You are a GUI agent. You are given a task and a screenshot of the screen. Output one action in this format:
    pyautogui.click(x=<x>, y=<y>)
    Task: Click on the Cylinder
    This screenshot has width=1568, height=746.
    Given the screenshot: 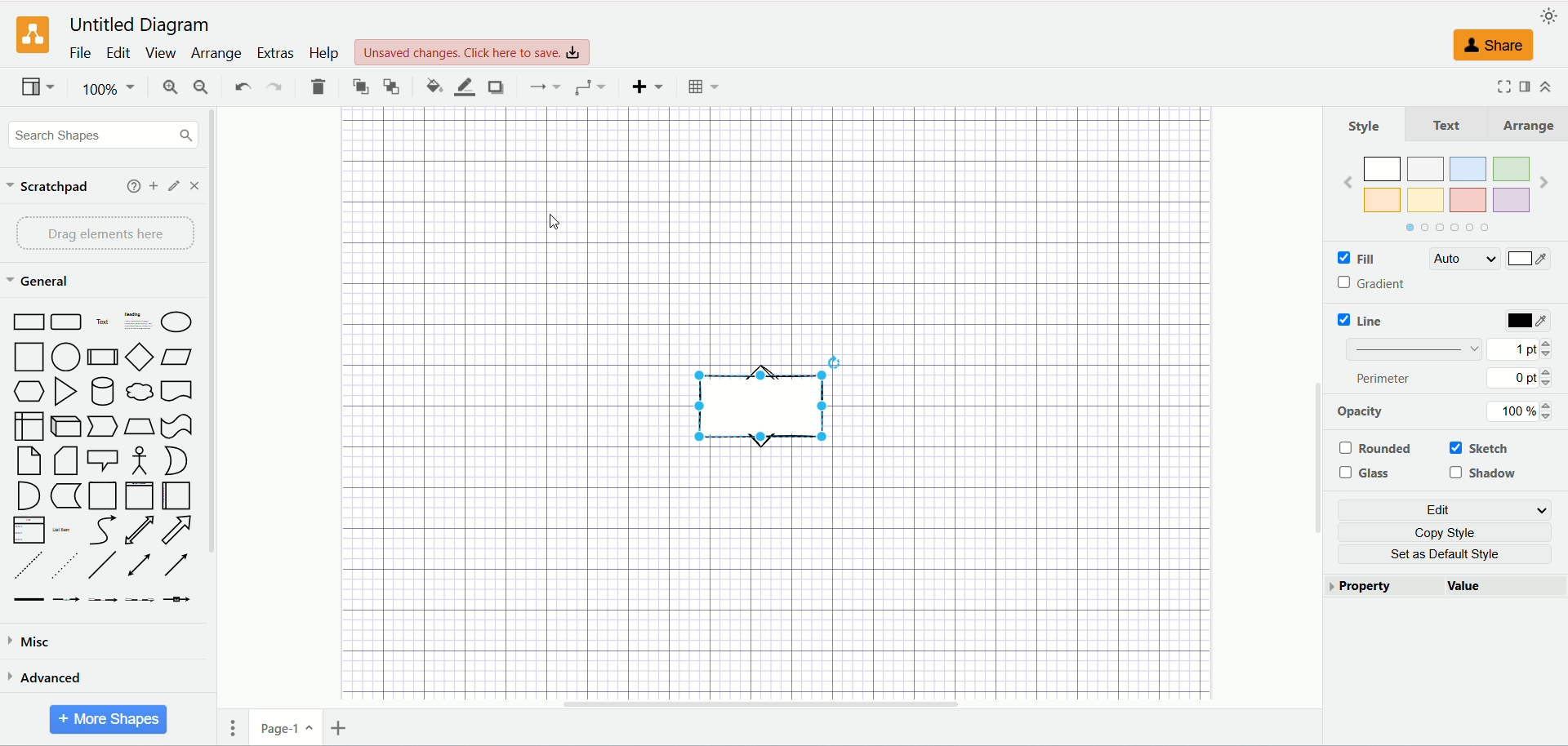 What is the action you would take?
    pyautogui.click(x=105, y=391)
    